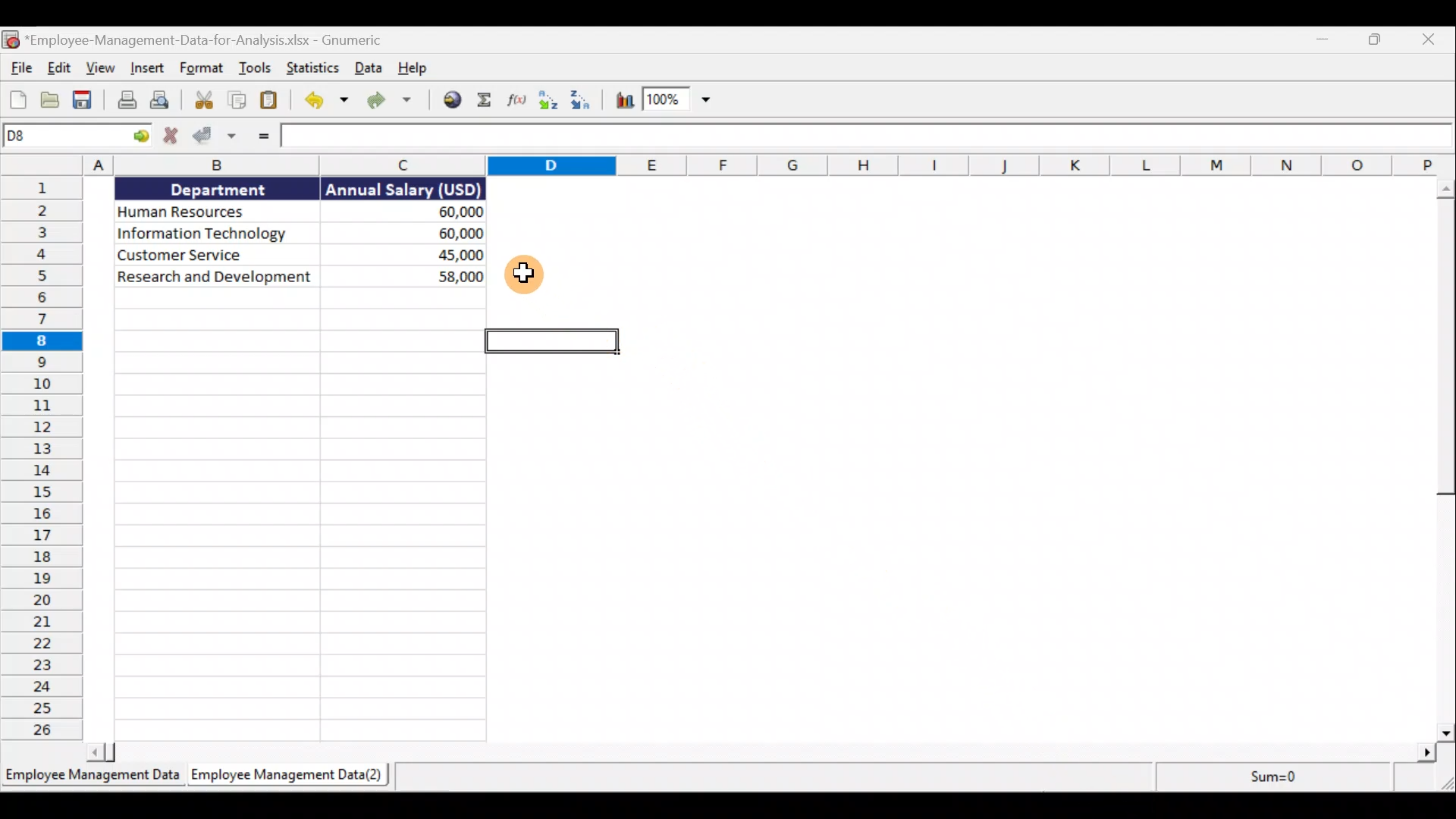  I want to click on Data, so click(307, 234).